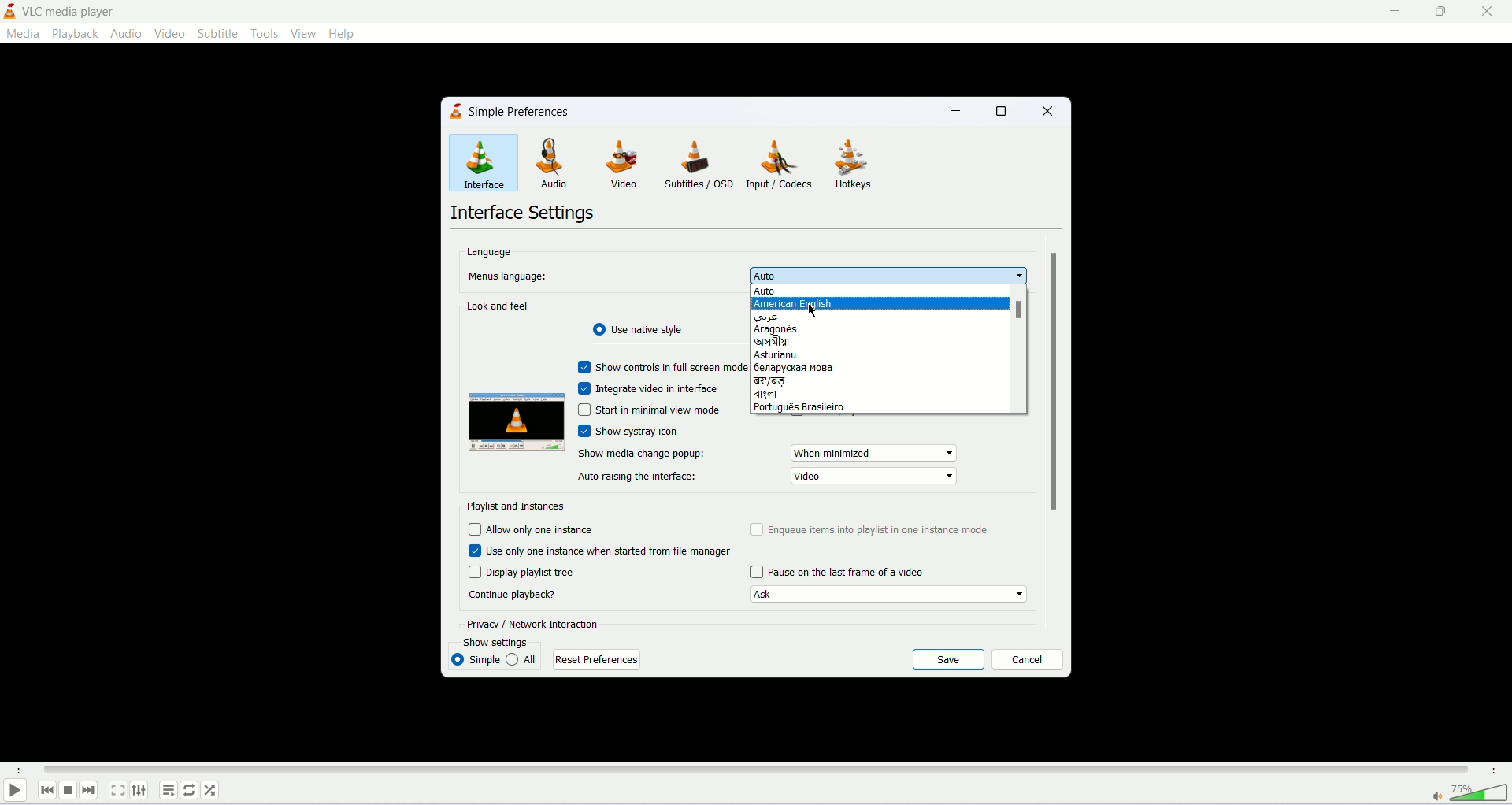  What do you see at coordinates (458, 112) in the screenshot?
I see `icon` at bounding box center [458, 112].